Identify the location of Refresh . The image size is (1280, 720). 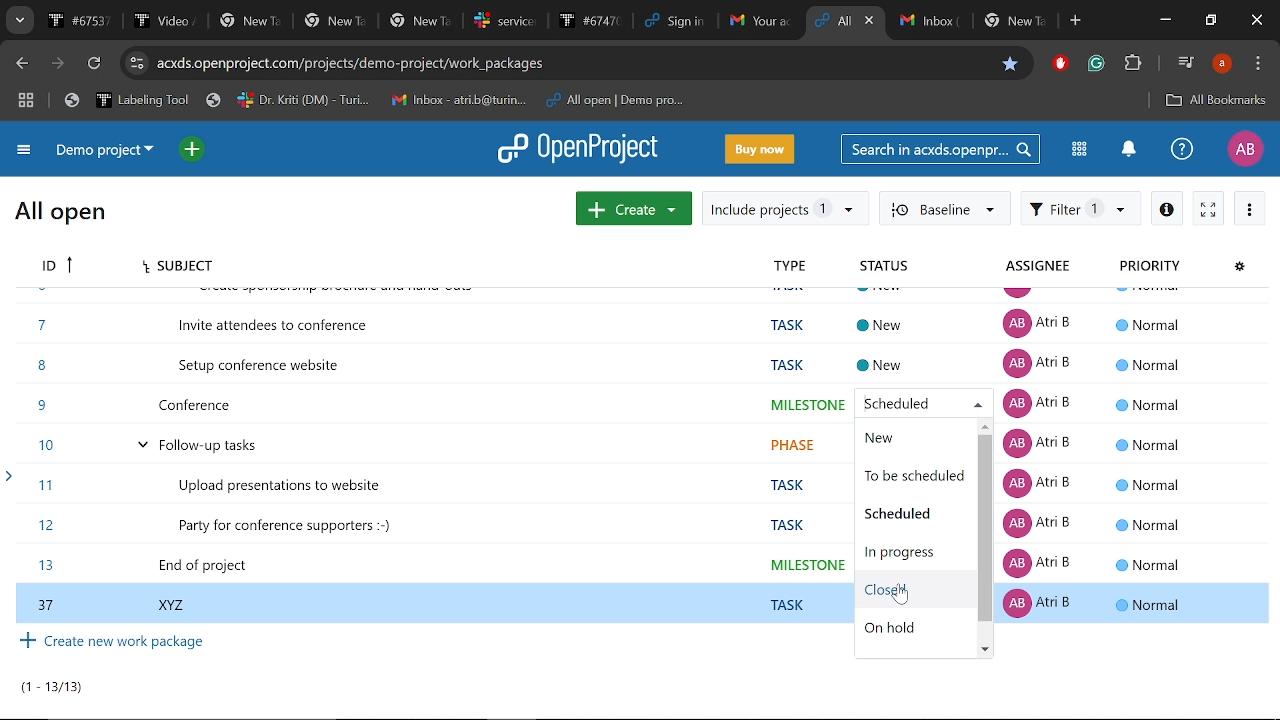
(96, 64).